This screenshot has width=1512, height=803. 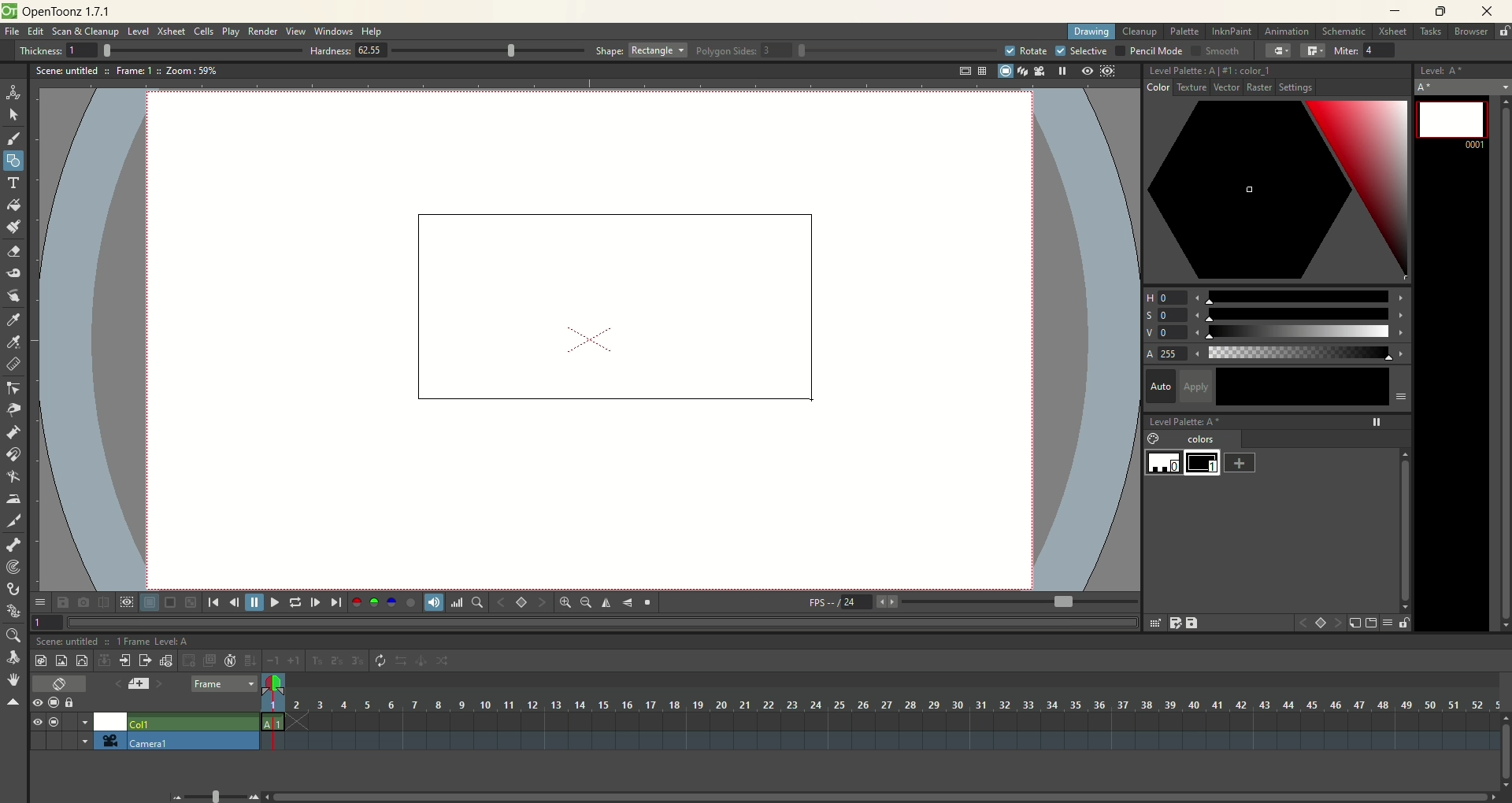 What do you see at coordinates (1503, 764) in the screenshot?
I see `vertical scrollbar` at bounding box center [1503, 764].